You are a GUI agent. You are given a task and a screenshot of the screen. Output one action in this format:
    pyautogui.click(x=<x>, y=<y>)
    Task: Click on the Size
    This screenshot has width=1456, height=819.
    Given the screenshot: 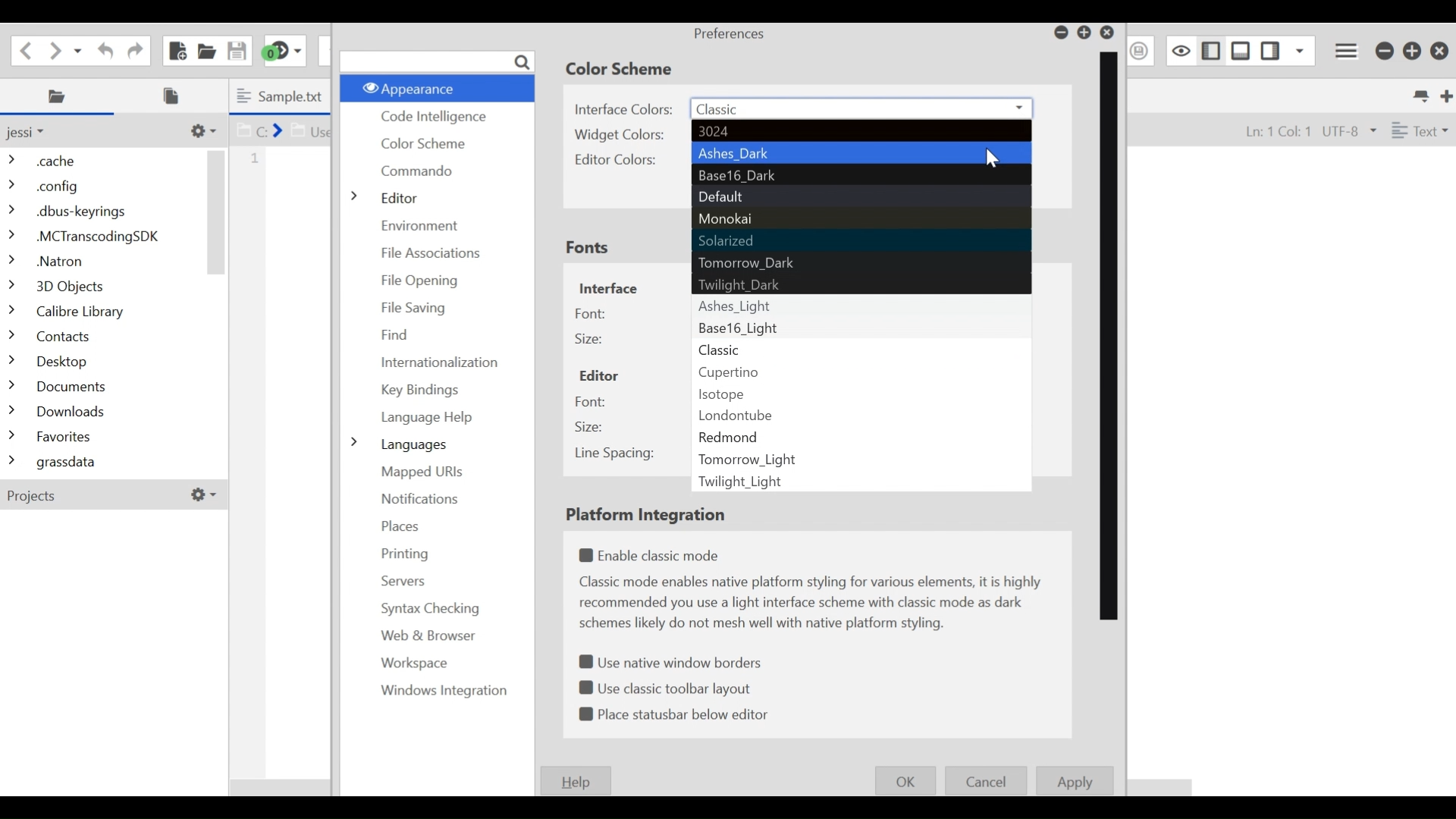 What is the action you would take?
    pyautogui.click(x=589, y=339)
    